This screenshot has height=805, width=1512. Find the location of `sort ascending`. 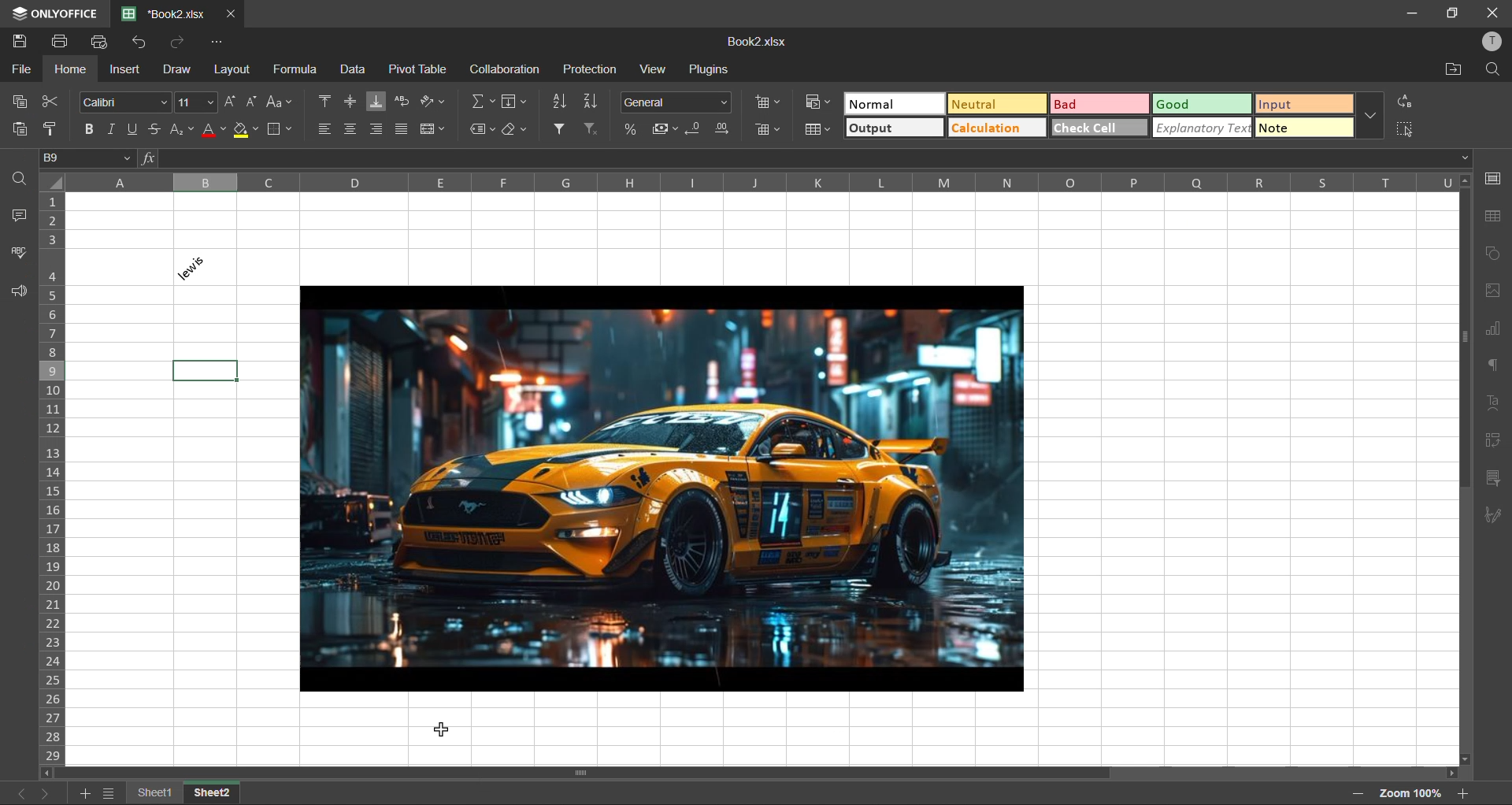

sort ascending is located at coordinates (558, 102).